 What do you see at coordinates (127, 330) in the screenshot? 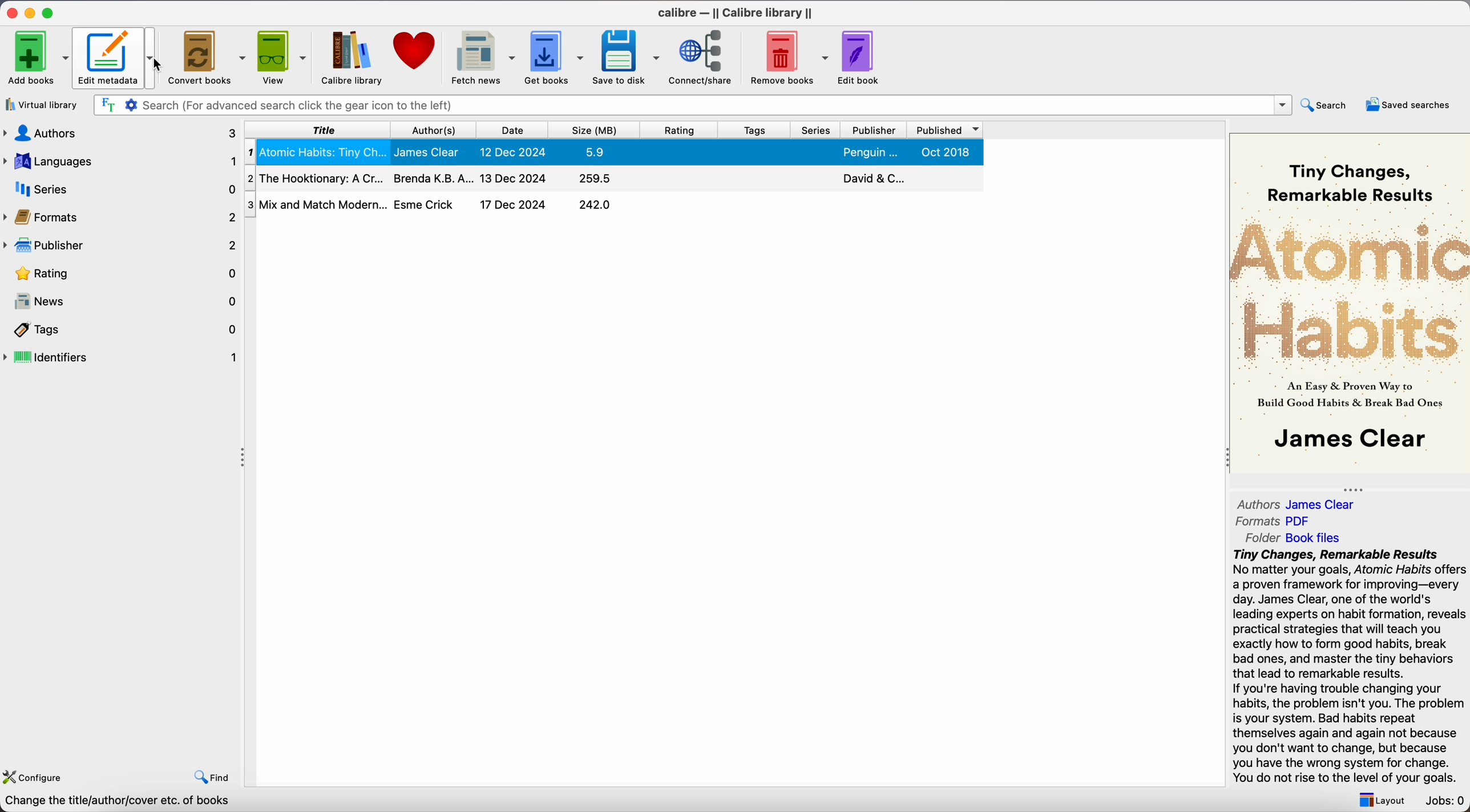
I see `tags` at bounding box center [127, 330].